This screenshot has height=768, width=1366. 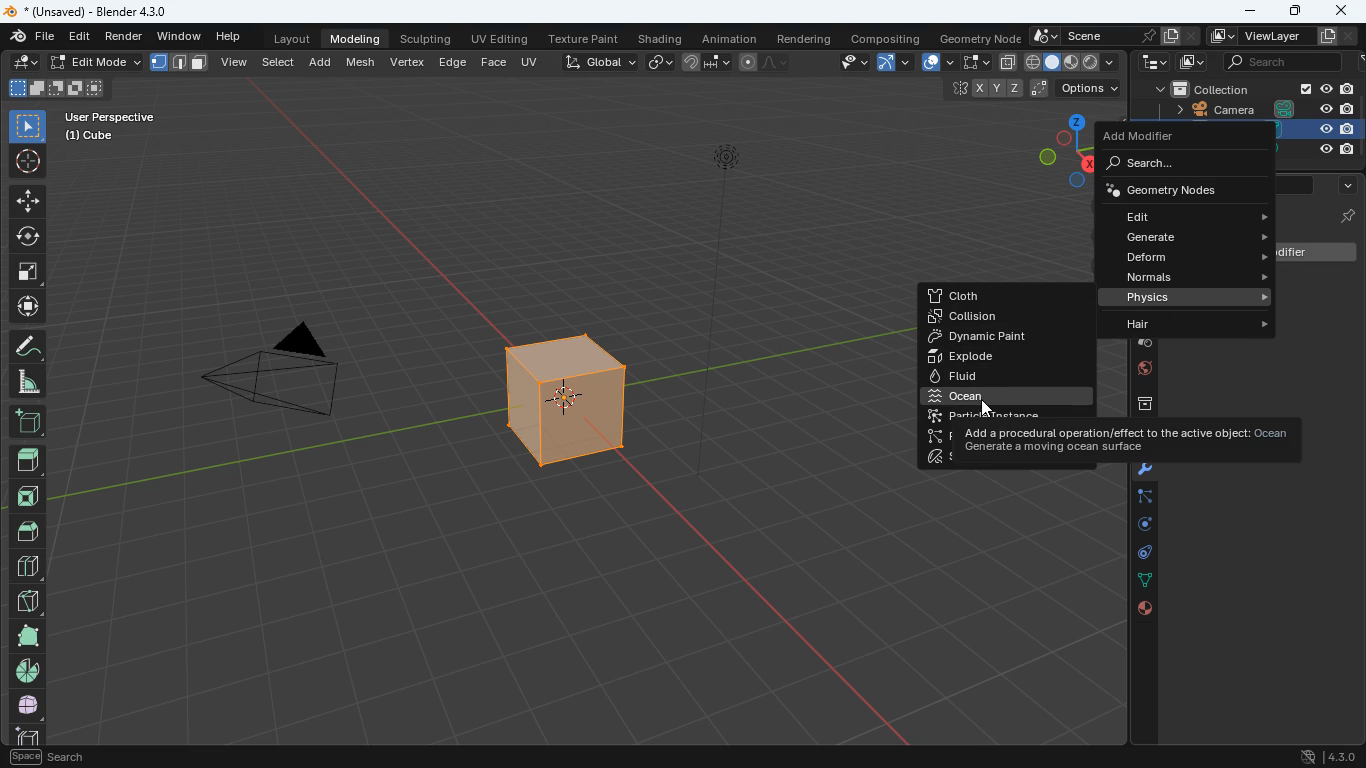 What do you see at coordinates (1182, 189) in the screenshot?
I see `geometry nodes` at bounding box center [1182, 189].